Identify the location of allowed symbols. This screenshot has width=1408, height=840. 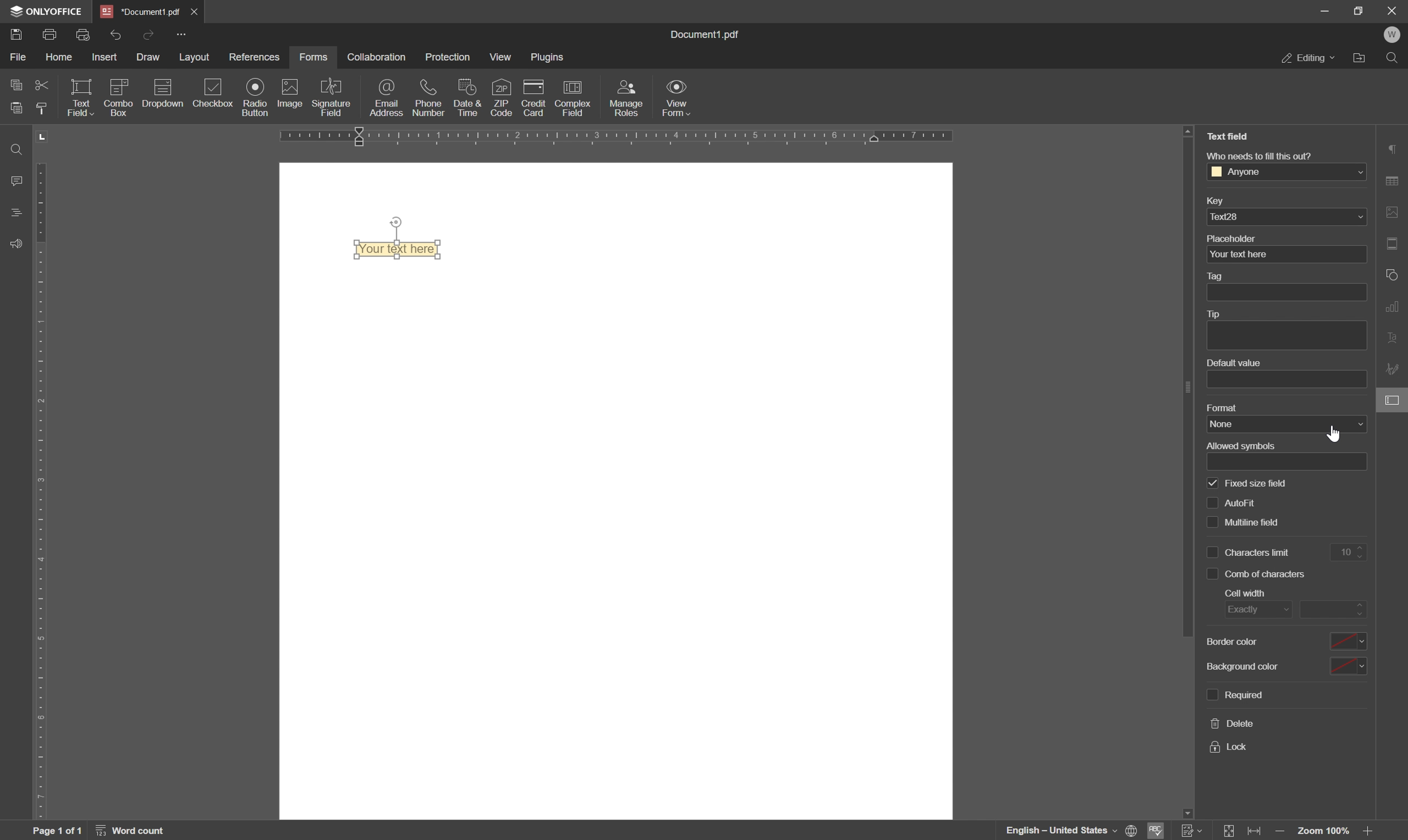
(1244, 444).